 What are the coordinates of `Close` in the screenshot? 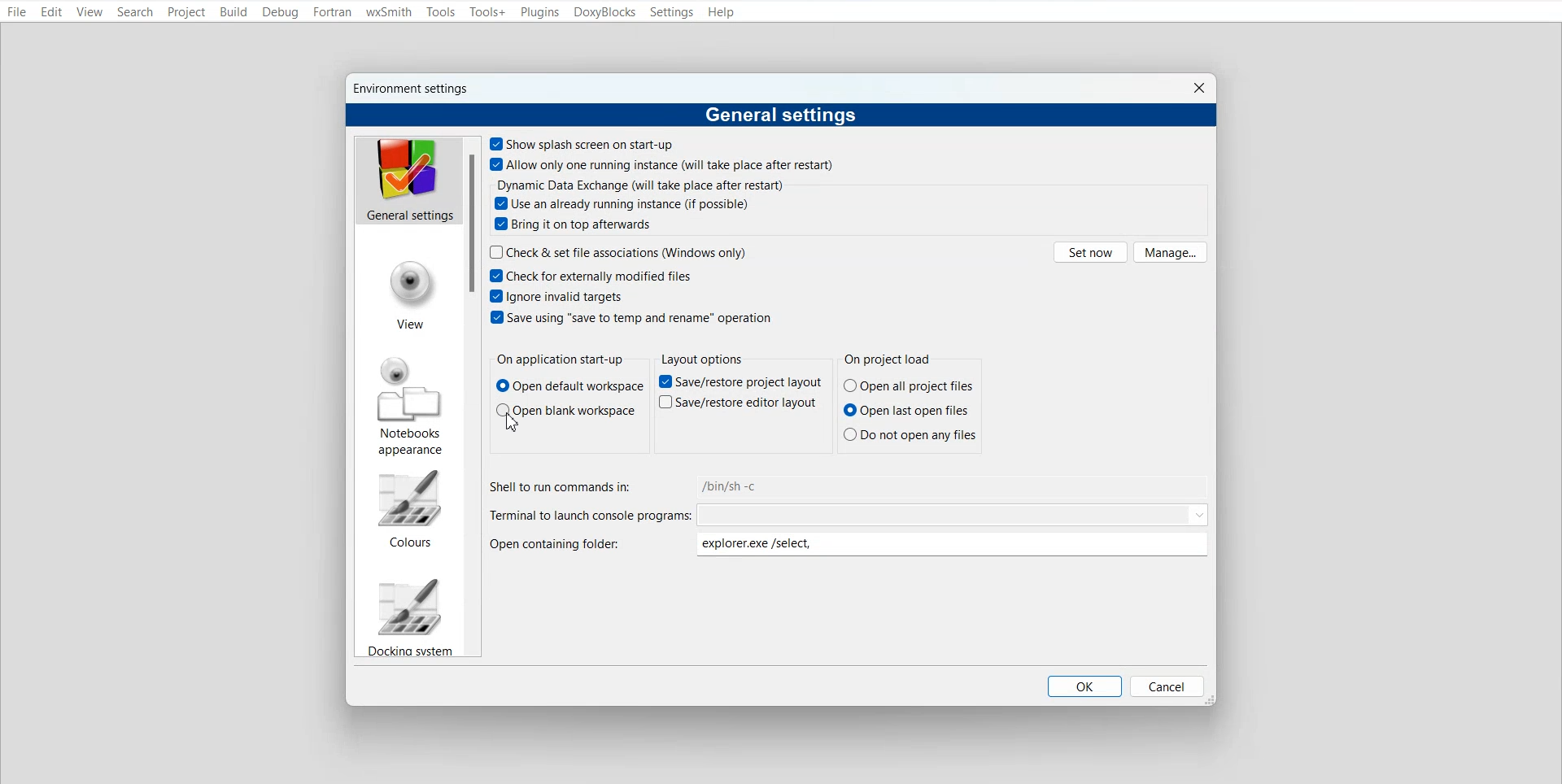 It's located at (1198, 88).